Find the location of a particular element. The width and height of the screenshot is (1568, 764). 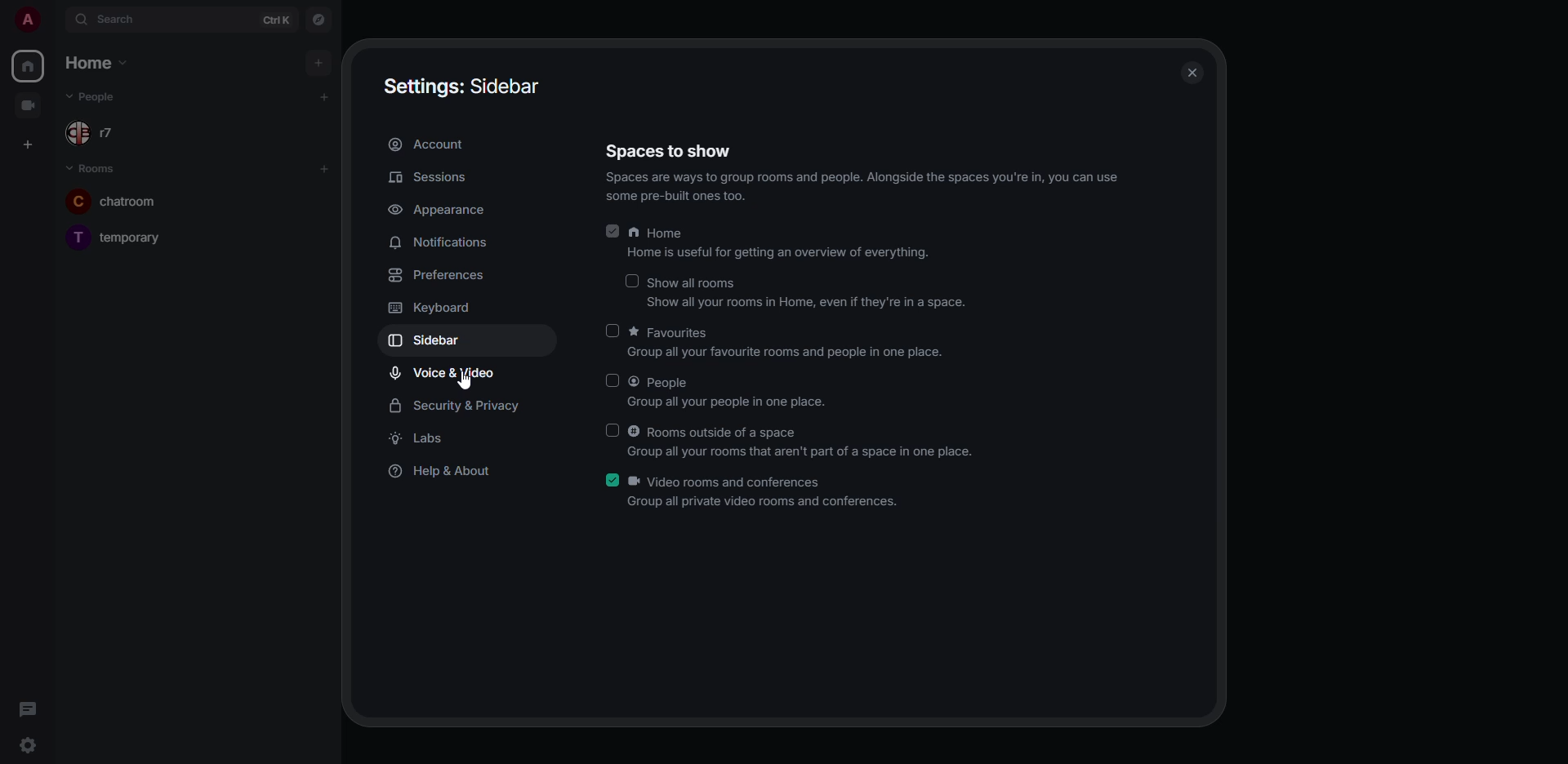

expand is located at coordinates (57, 19).